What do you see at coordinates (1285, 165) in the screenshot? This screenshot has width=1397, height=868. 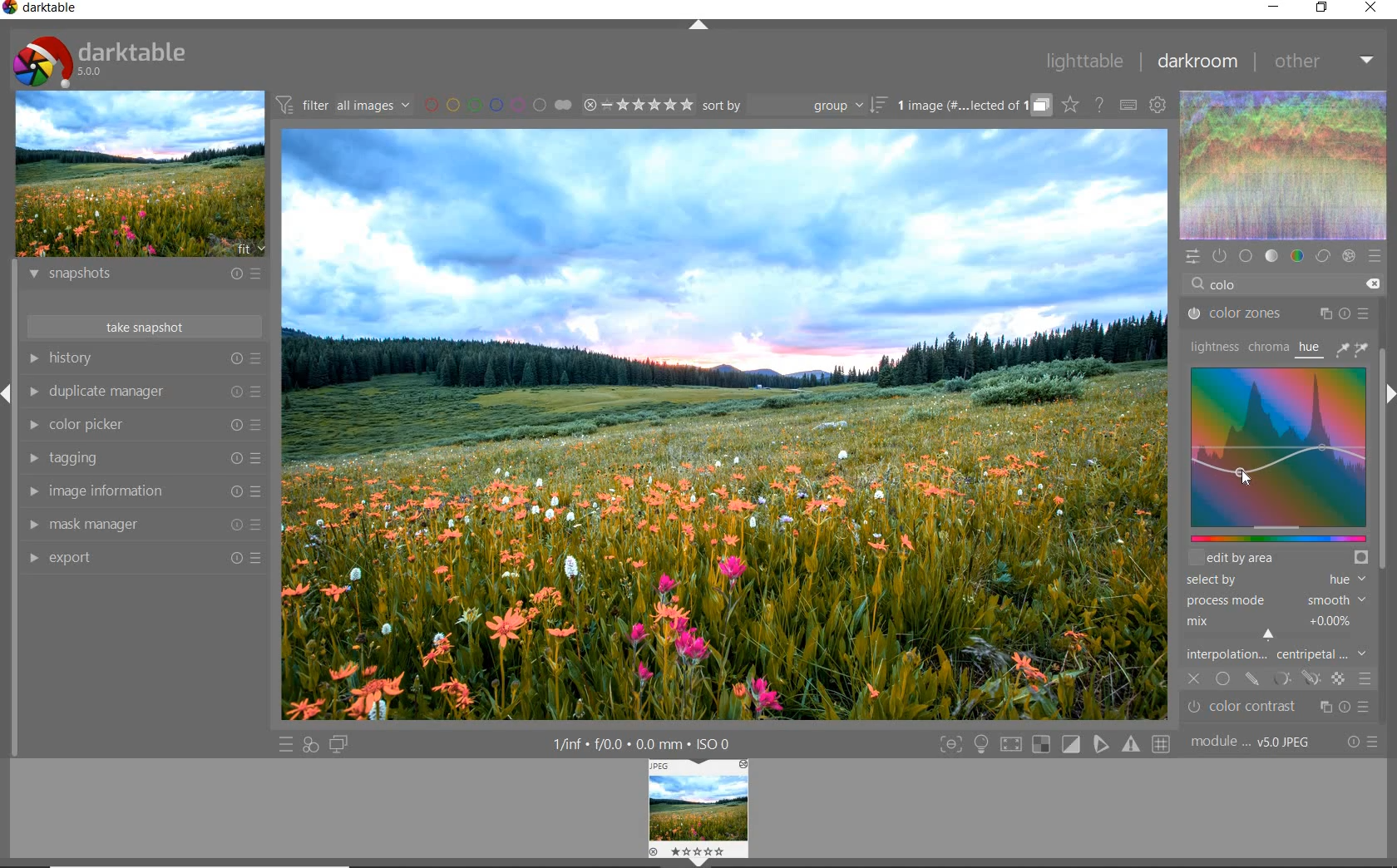 I see `waveform` at bounding box center [1285, 165].